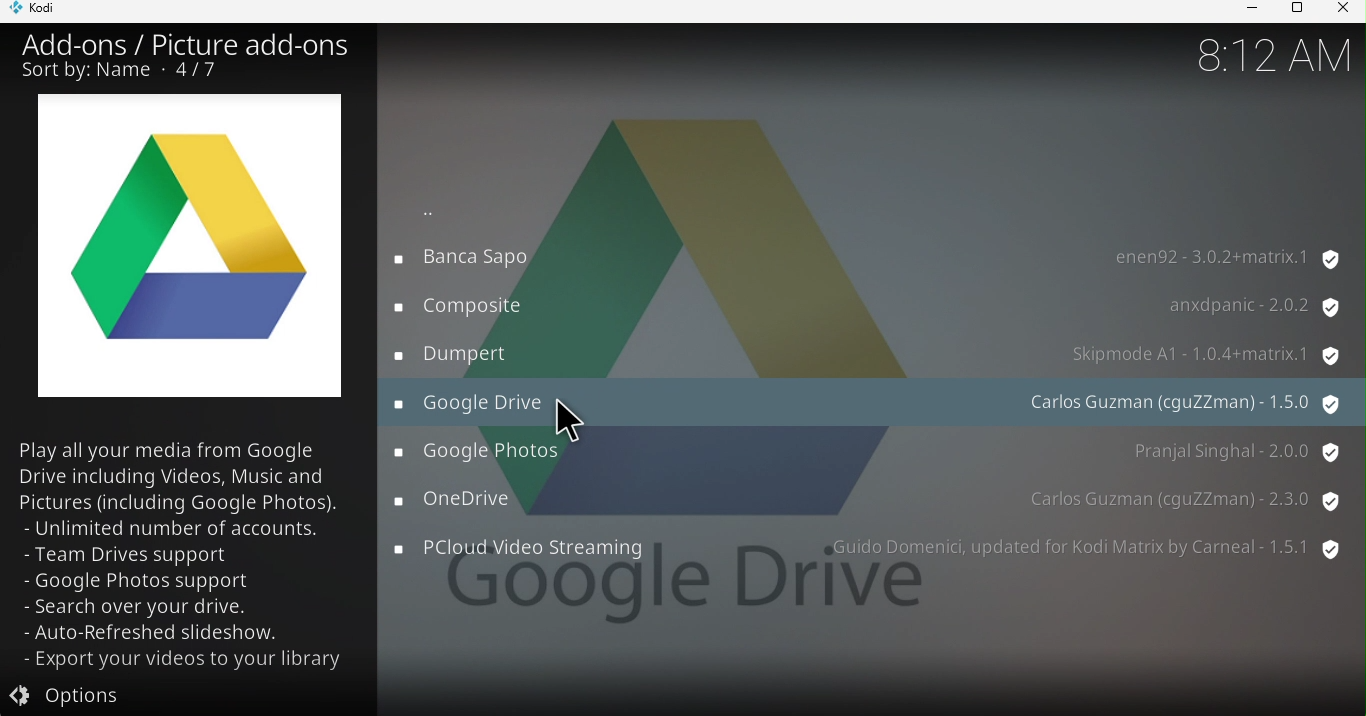  Describe the element at coordinates (873, 351) in the screenshot. I see `Dumpert` at that location.